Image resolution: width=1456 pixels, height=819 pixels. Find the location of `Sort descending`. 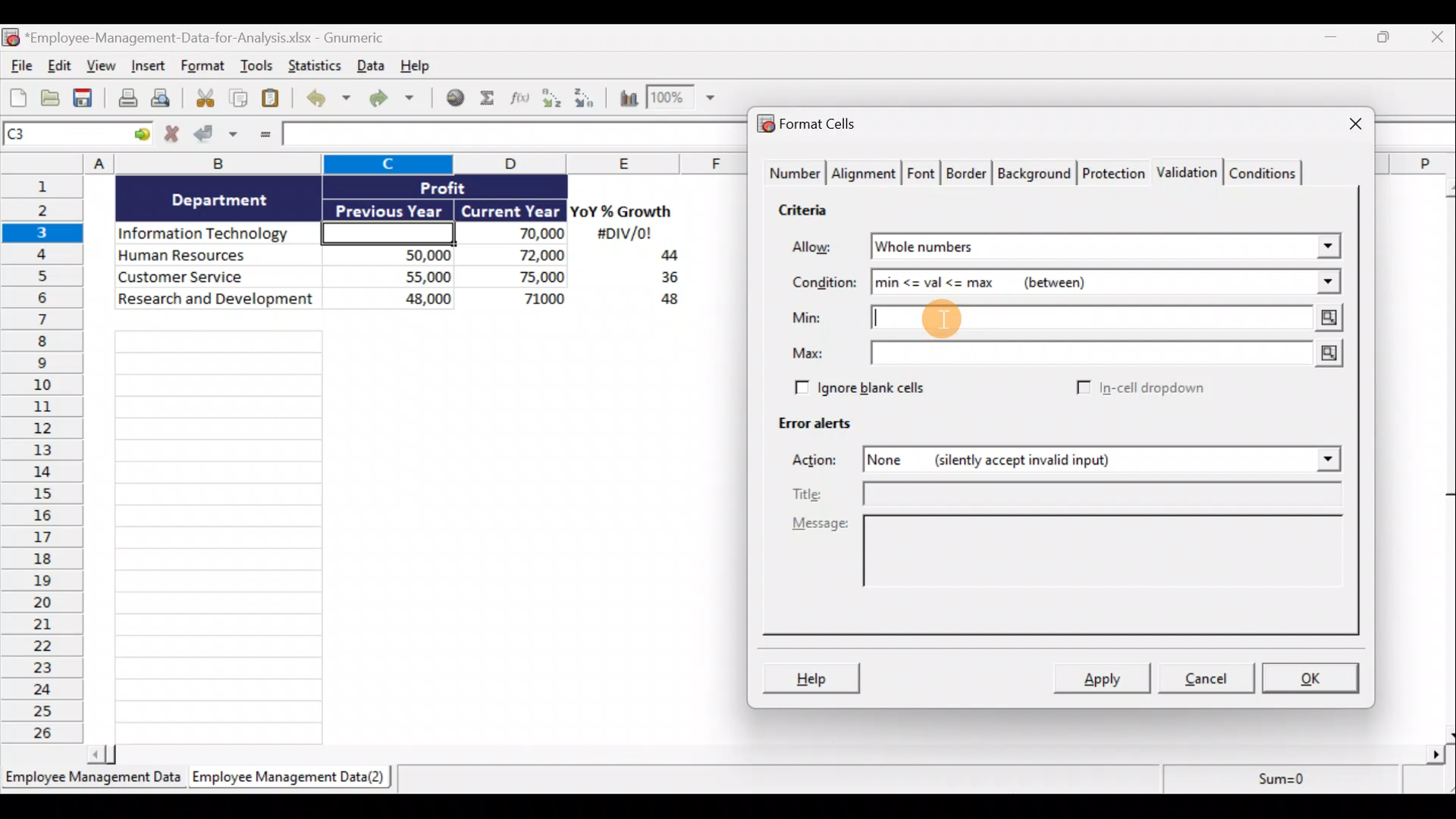

Sort descending is located at coordinates (582, 96).